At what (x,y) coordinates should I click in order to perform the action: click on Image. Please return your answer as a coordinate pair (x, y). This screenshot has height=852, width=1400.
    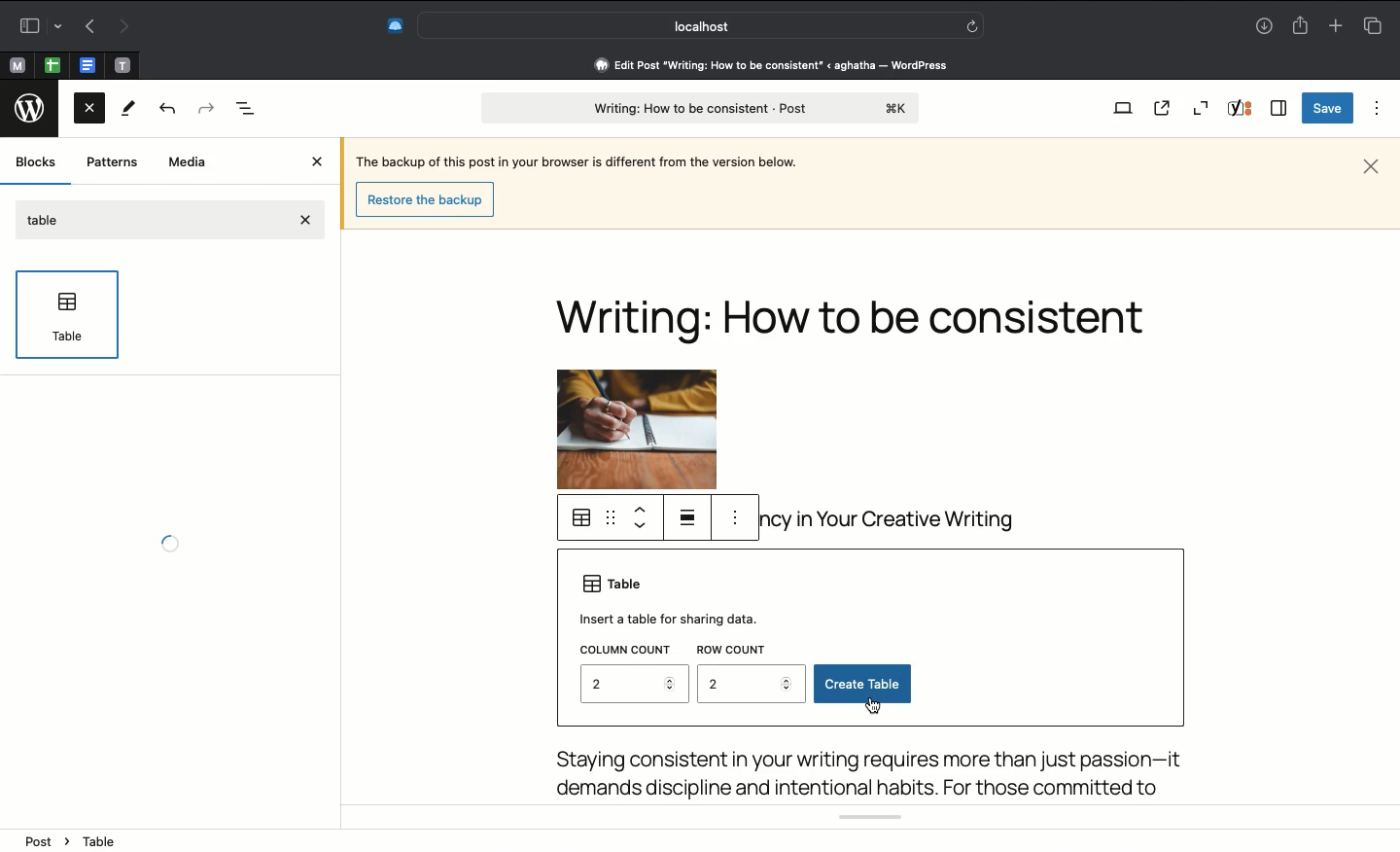
    Looking at the image, I should click on (635, 411).